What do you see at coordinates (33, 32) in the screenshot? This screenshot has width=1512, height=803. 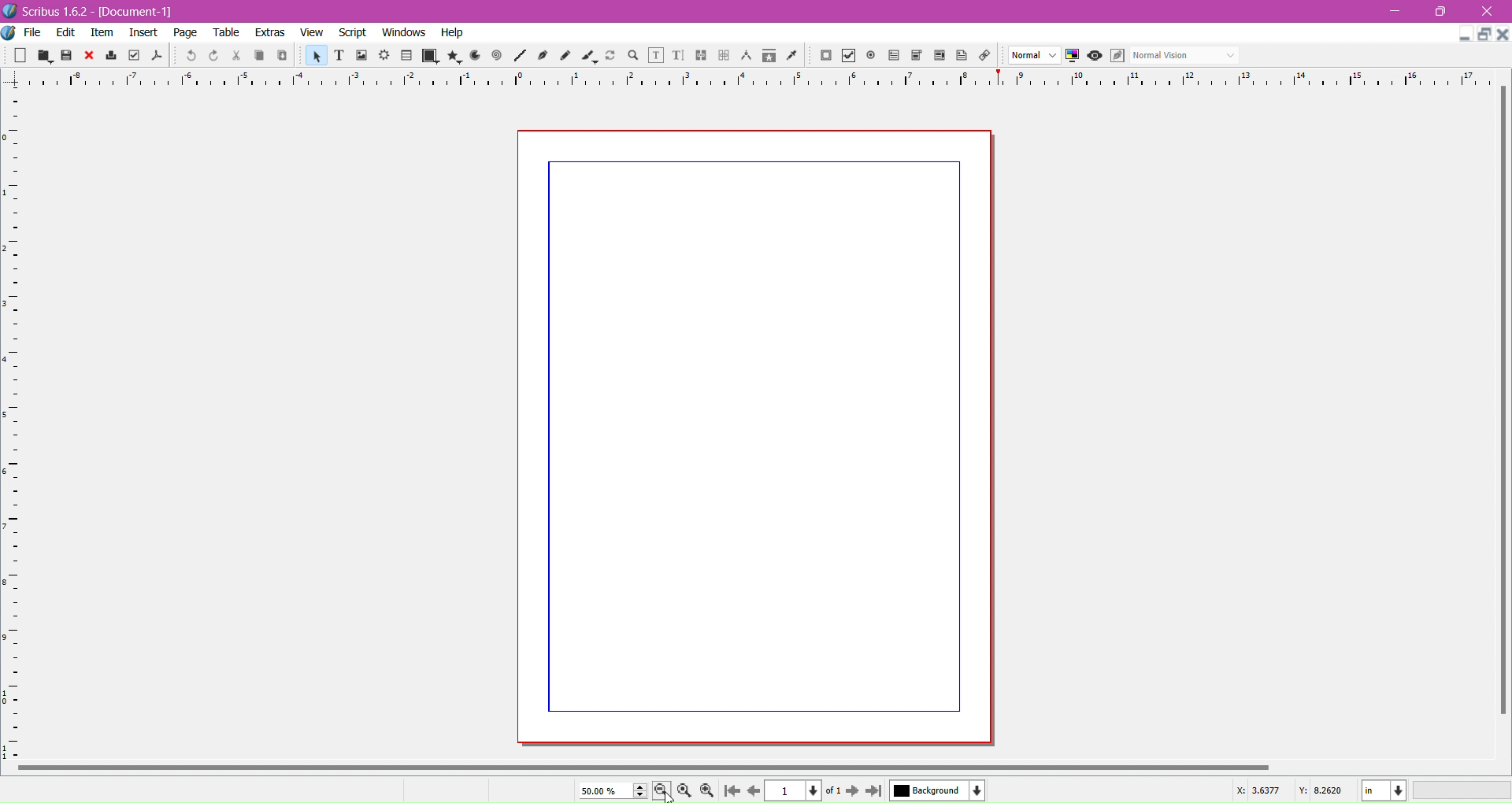 I see `File` at bounding box center [33, 32].